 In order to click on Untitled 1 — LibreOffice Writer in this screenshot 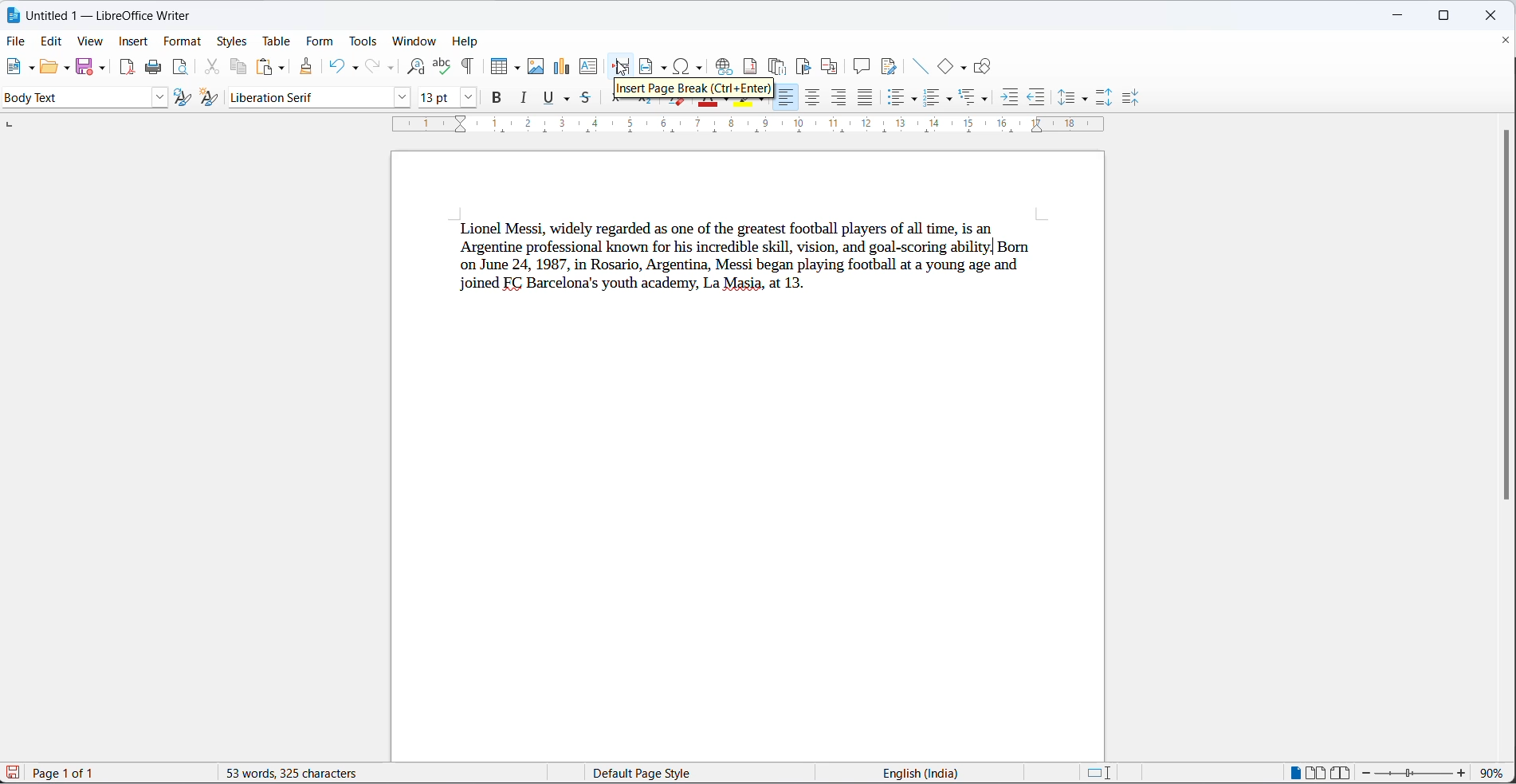, I will do `click(112, 15)`.